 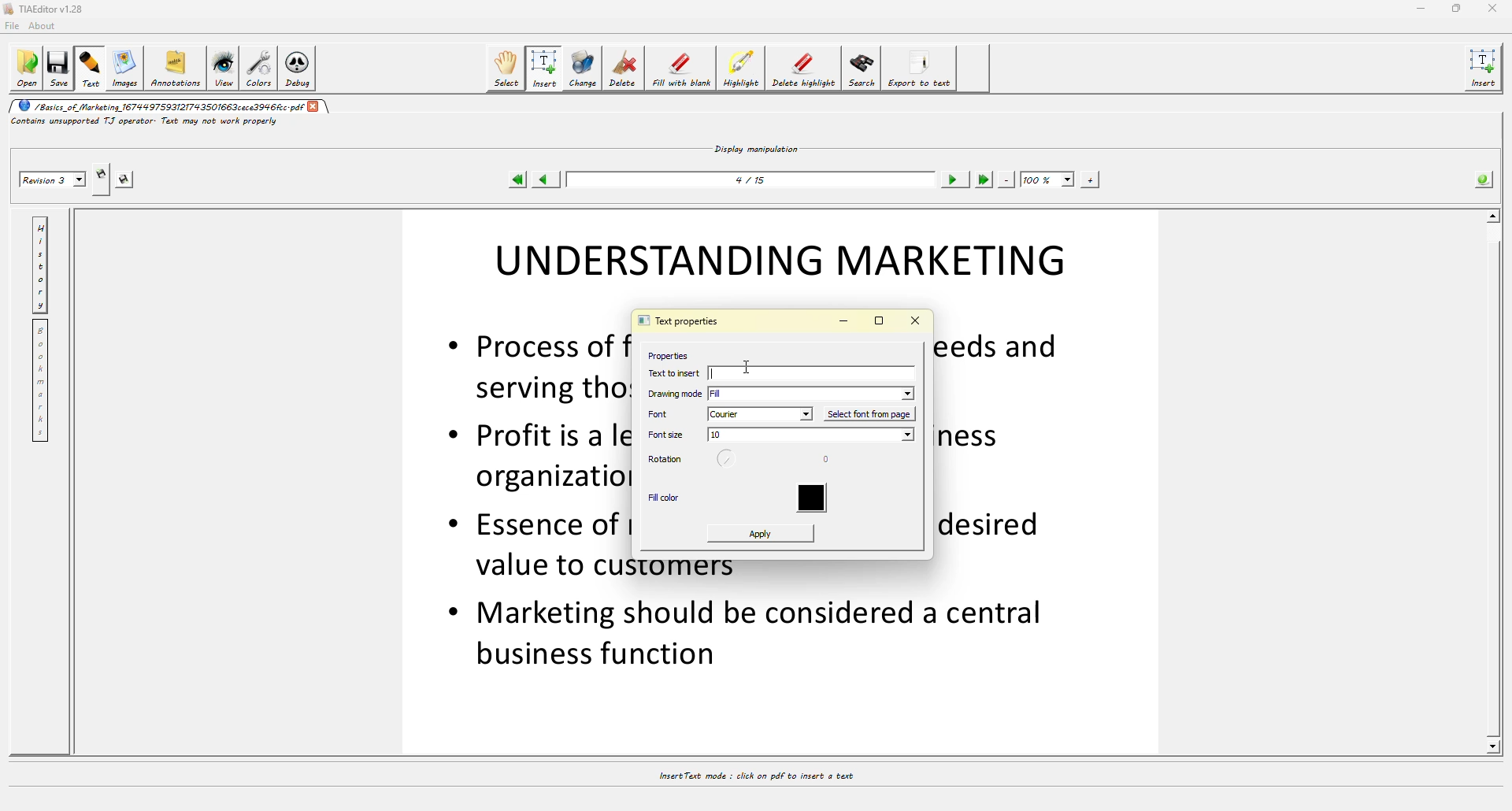 What do you see at coordinates (1492, 8) in the screenshot?
I see `close` at bounding box center [1492, 8].